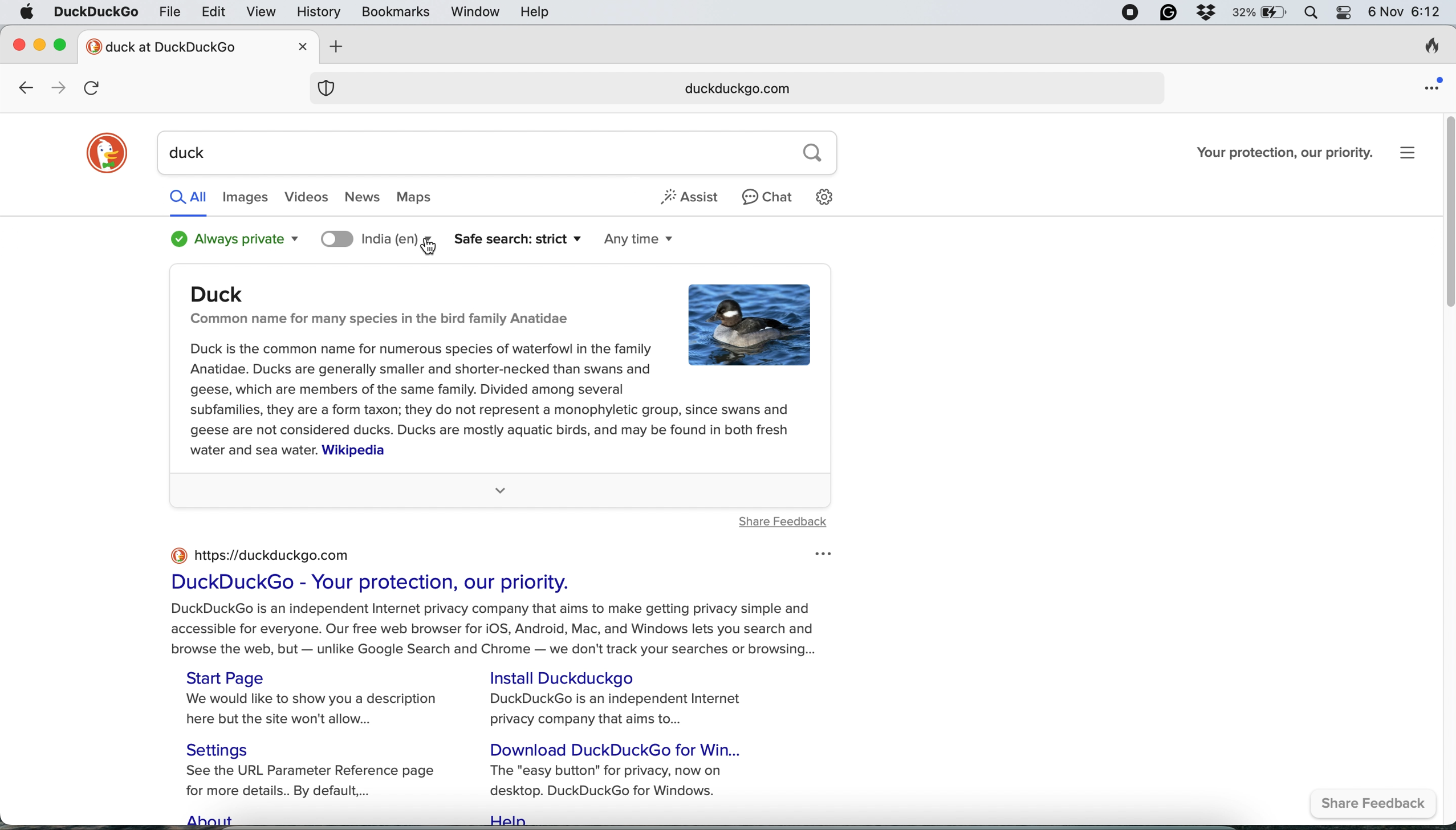  What do you see at coordinates (319, 782) in the screenshot?
I see `See the URL Parameter Reference page
for more details.. By default,...` at bounding box center [319, 782].